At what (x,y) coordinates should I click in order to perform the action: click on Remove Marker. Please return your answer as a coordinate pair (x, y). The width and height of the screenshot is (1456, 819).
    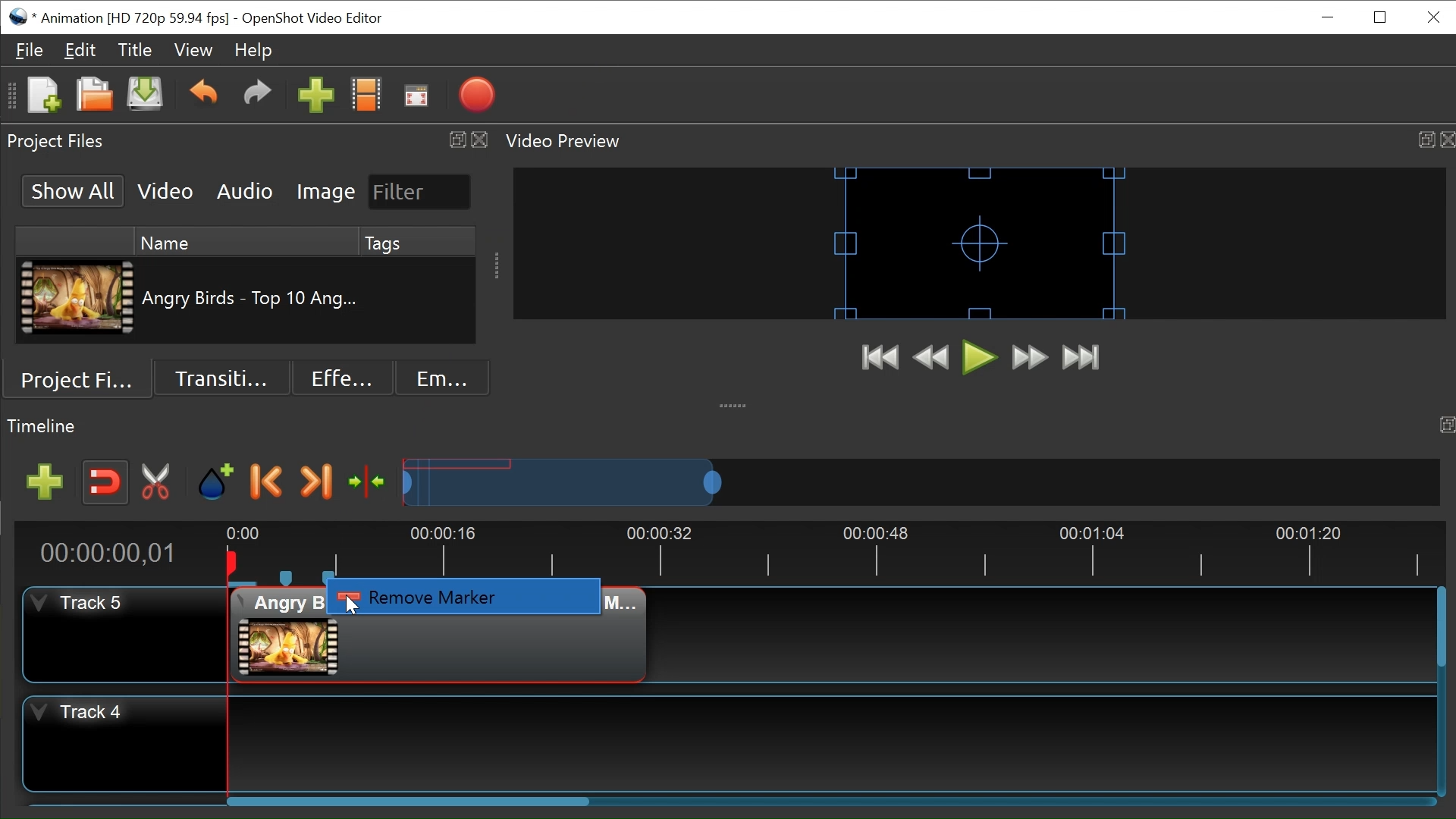
    Looking at the image, I should click on (466, 596).